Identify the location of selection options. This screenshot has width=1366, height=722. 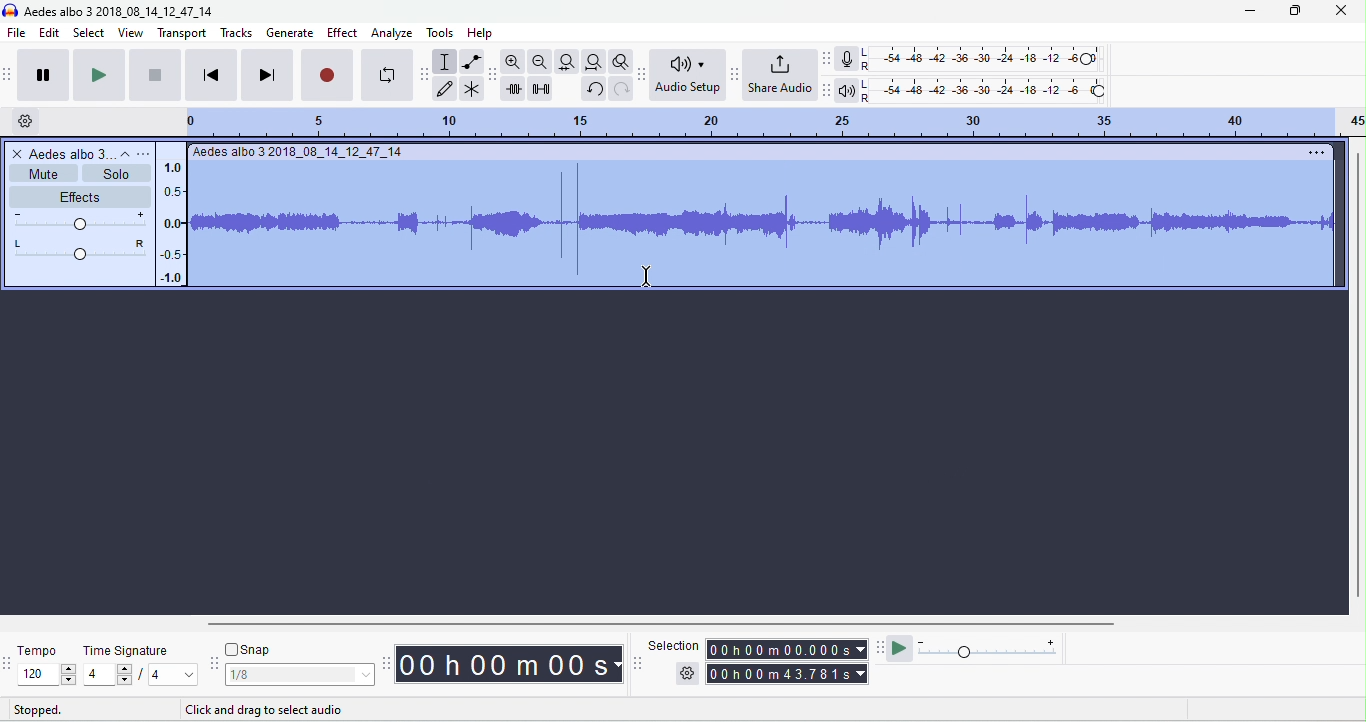
(687, 672).